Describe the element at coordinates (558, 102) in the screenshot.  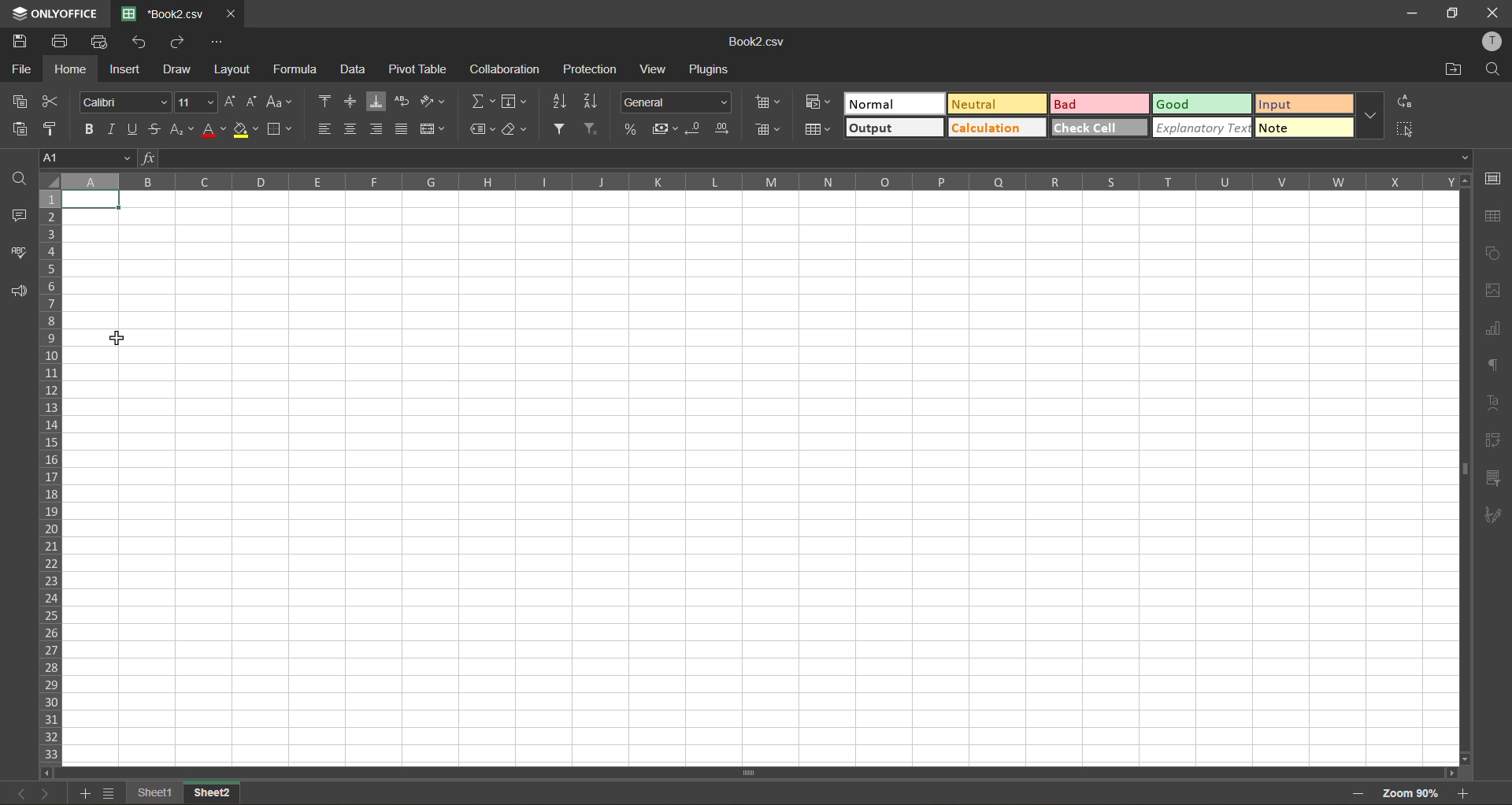
I see `sort ascending` at that location.